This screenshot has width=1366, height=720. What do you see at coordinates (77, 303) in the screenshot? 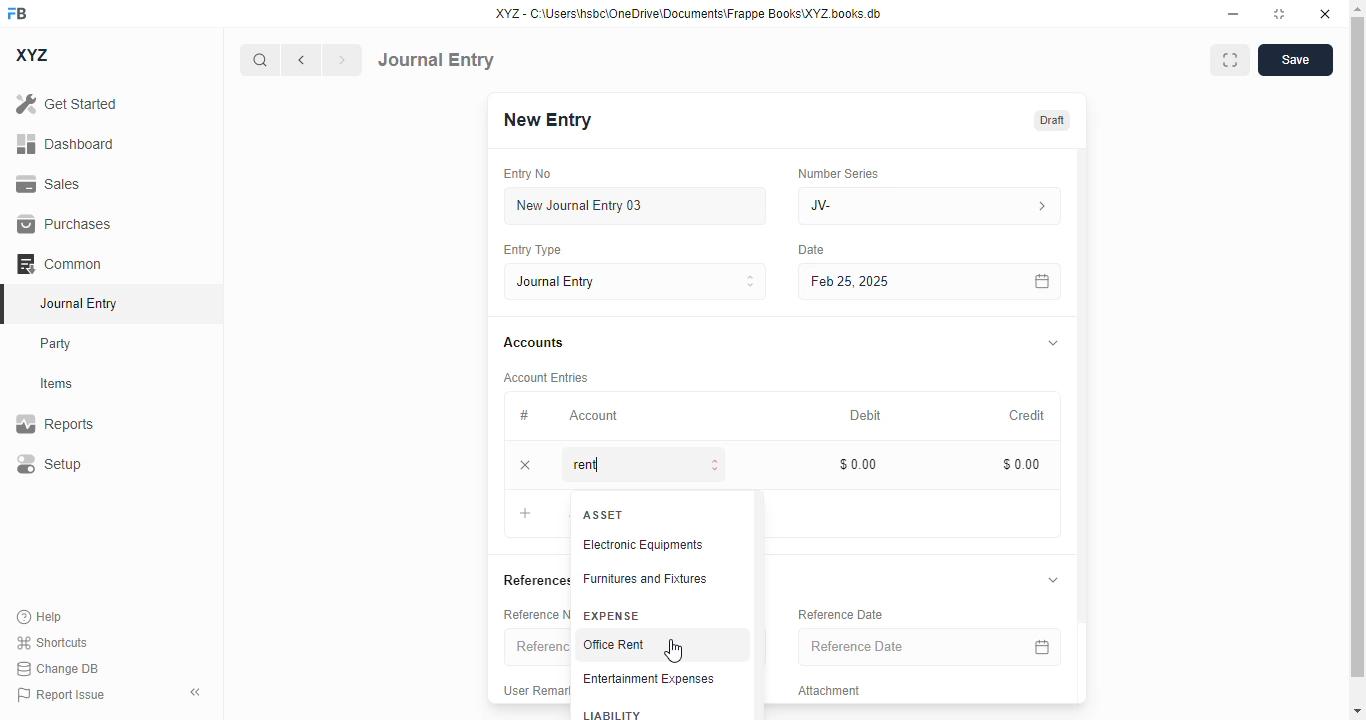
I see `journal entry` at bounding box center [77, 303].